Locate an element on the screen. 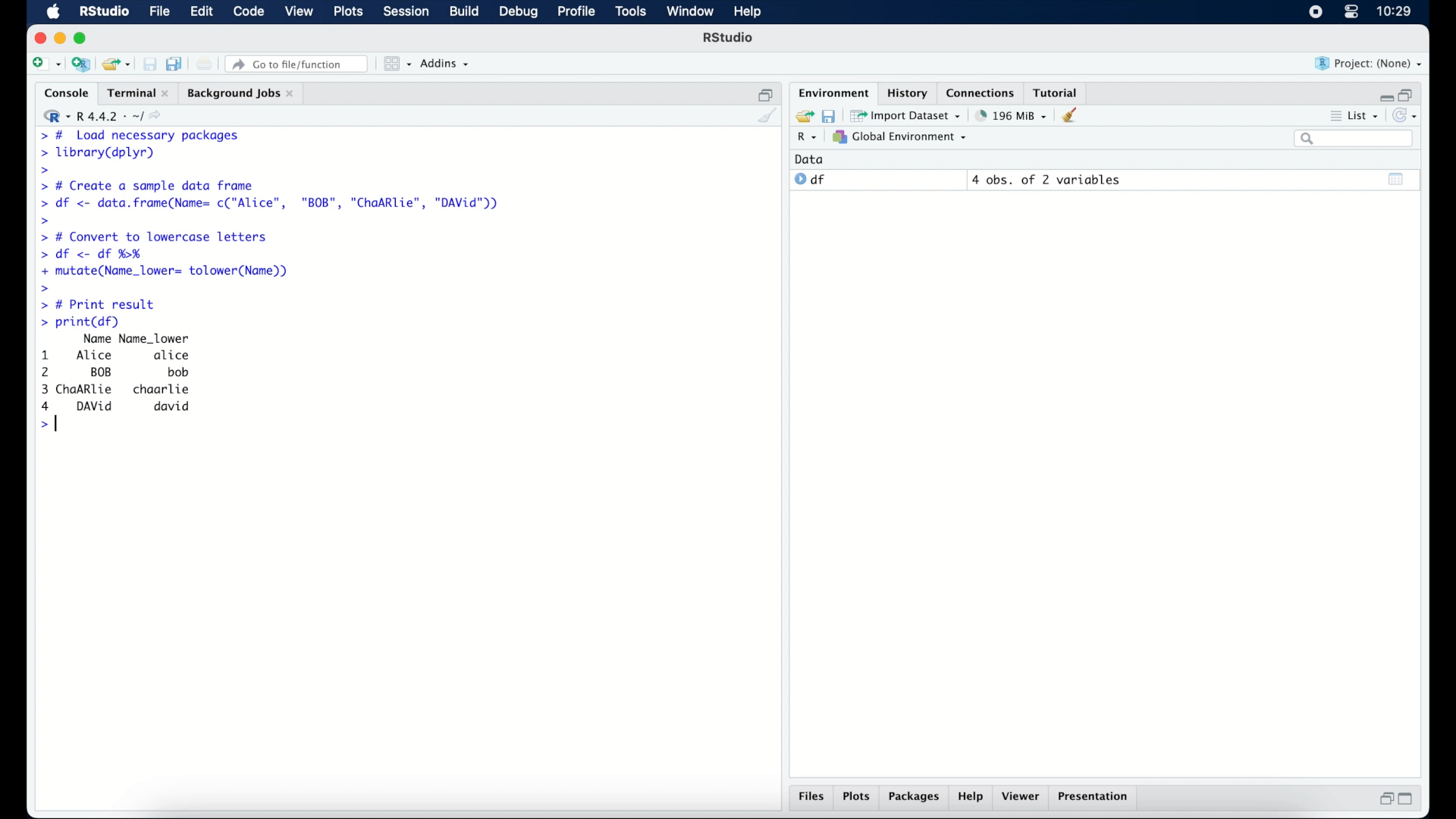  addins is located at coordinates (445, 64).